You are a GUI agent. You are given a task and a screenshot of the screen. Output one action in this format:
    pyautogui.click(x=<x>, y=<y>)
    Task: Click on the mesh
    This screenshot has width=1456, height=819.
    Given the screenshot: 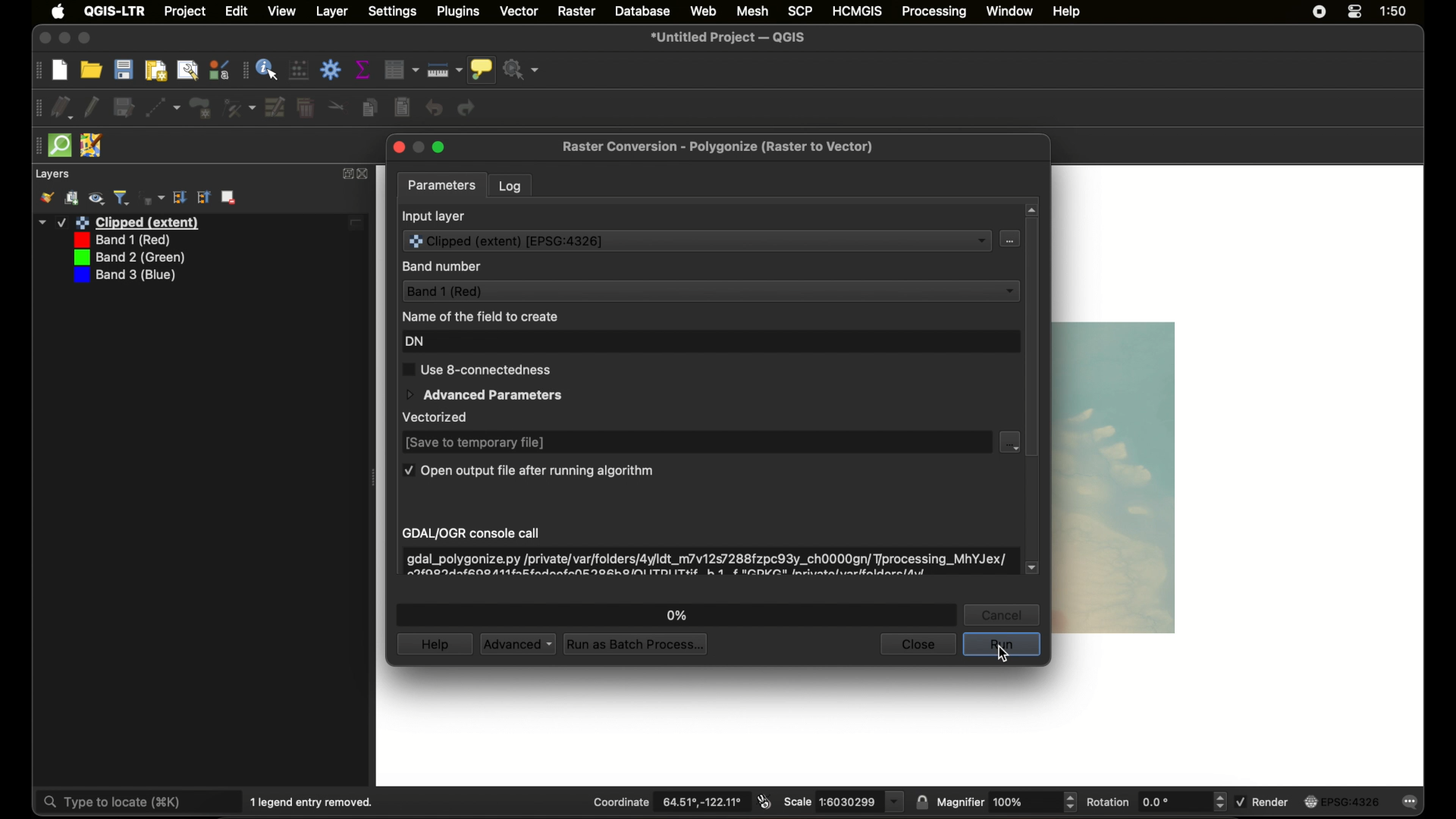 What is the action you would take?
    pyautogui.click(x=752, y=11)
    